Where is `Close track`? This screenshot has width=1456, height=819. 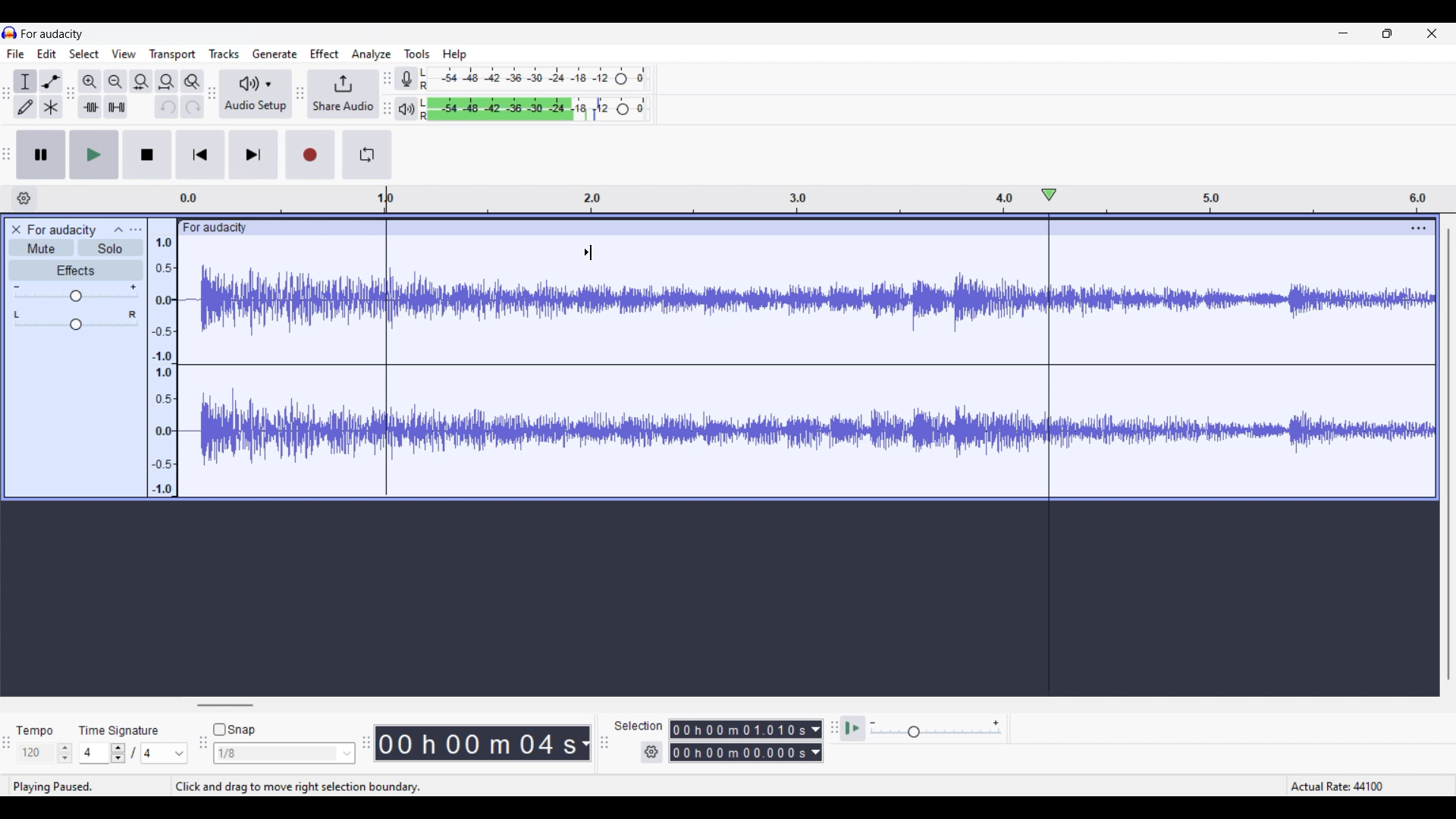
Close track is located at coordinates (16, 230).